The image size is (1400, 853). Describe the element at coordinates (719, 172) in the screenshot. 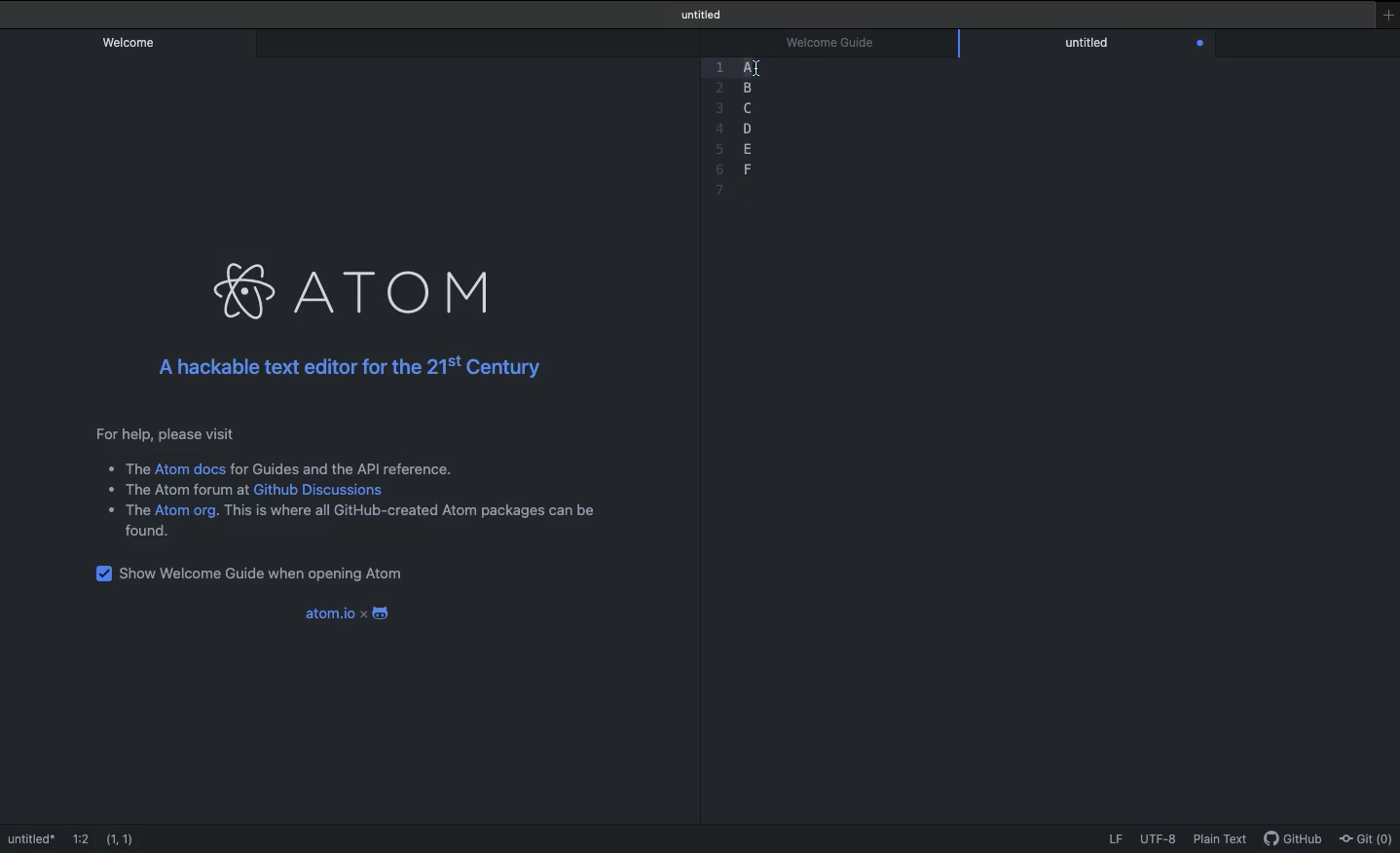

I see `6` at that location.